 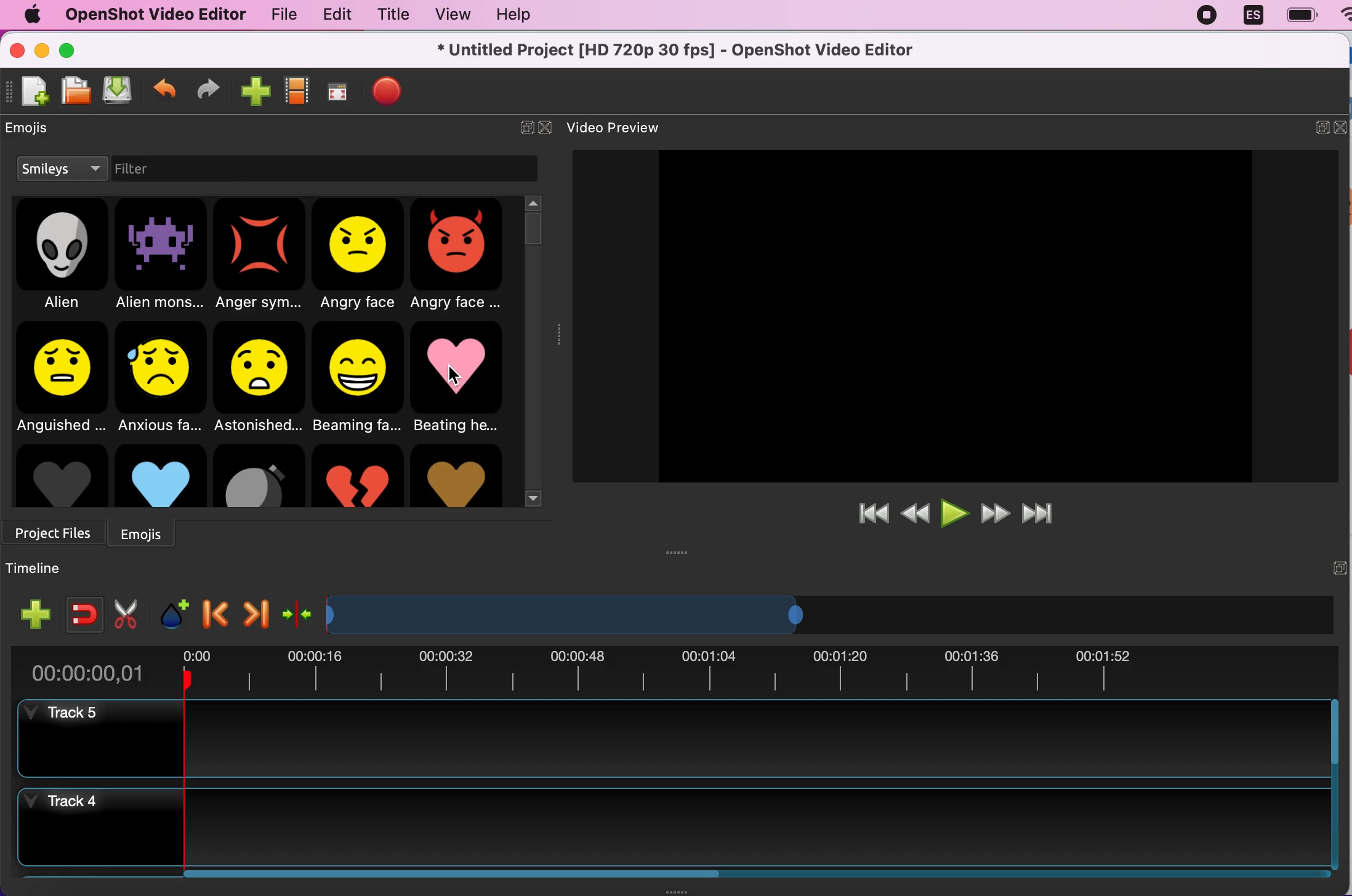 What do you see at coordinates (159, 170) in the screenshot?
I see `filter` at bounding box center [159, 170].